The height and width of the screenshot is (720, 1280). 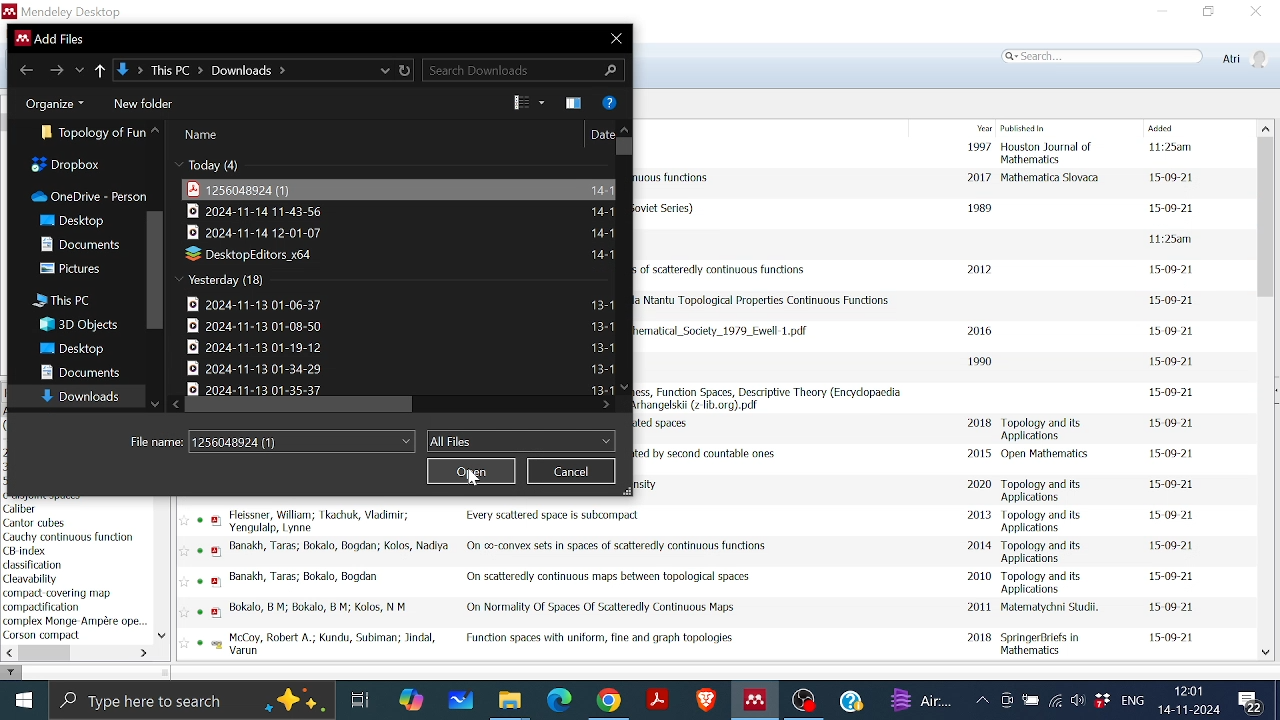 What do you see at coordinates (253, 388) in the screenshot?
I see `File` at bounding box center [253, 388].